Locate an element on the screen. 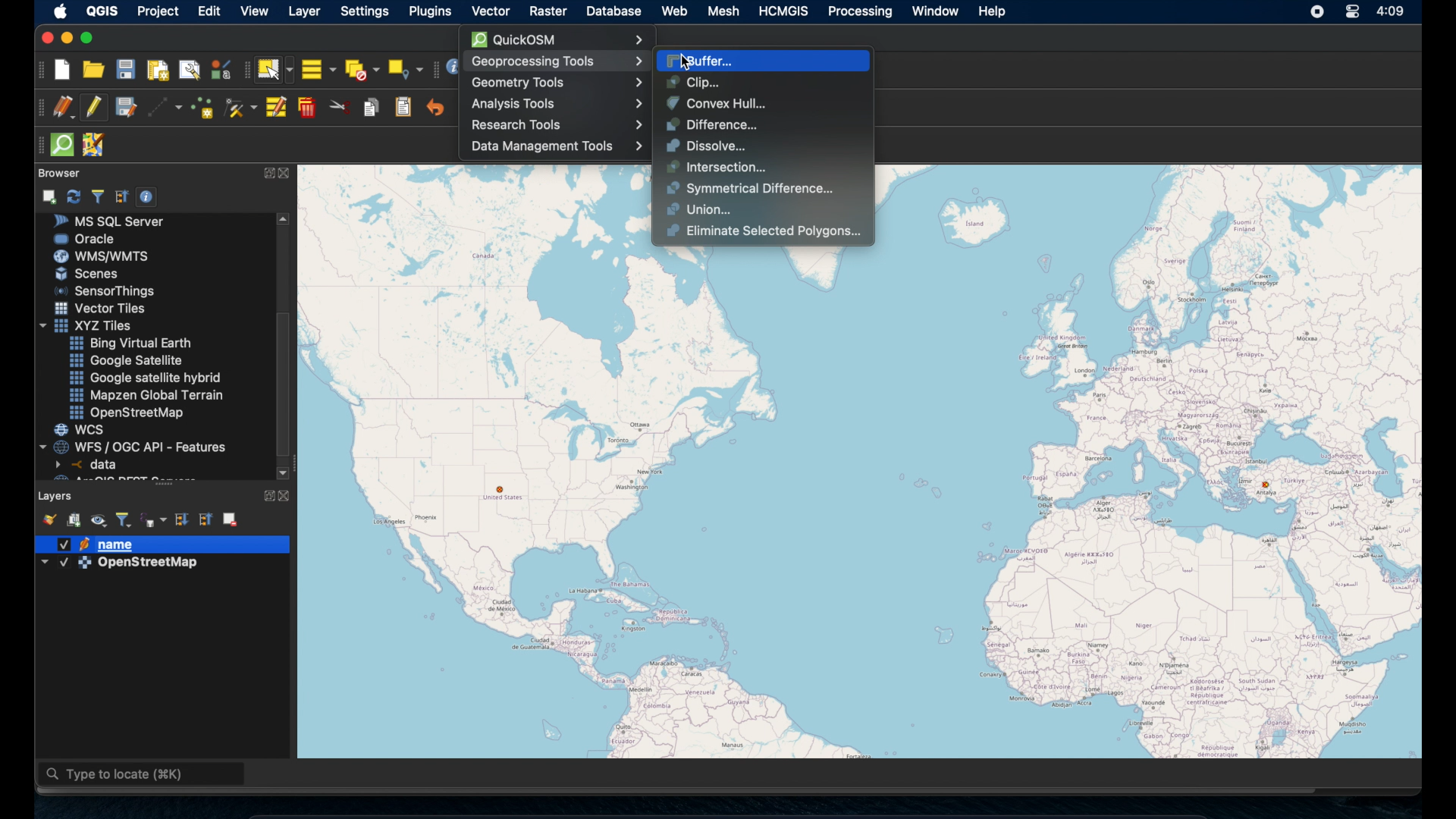  select all features is located at coordinates (318, 69).